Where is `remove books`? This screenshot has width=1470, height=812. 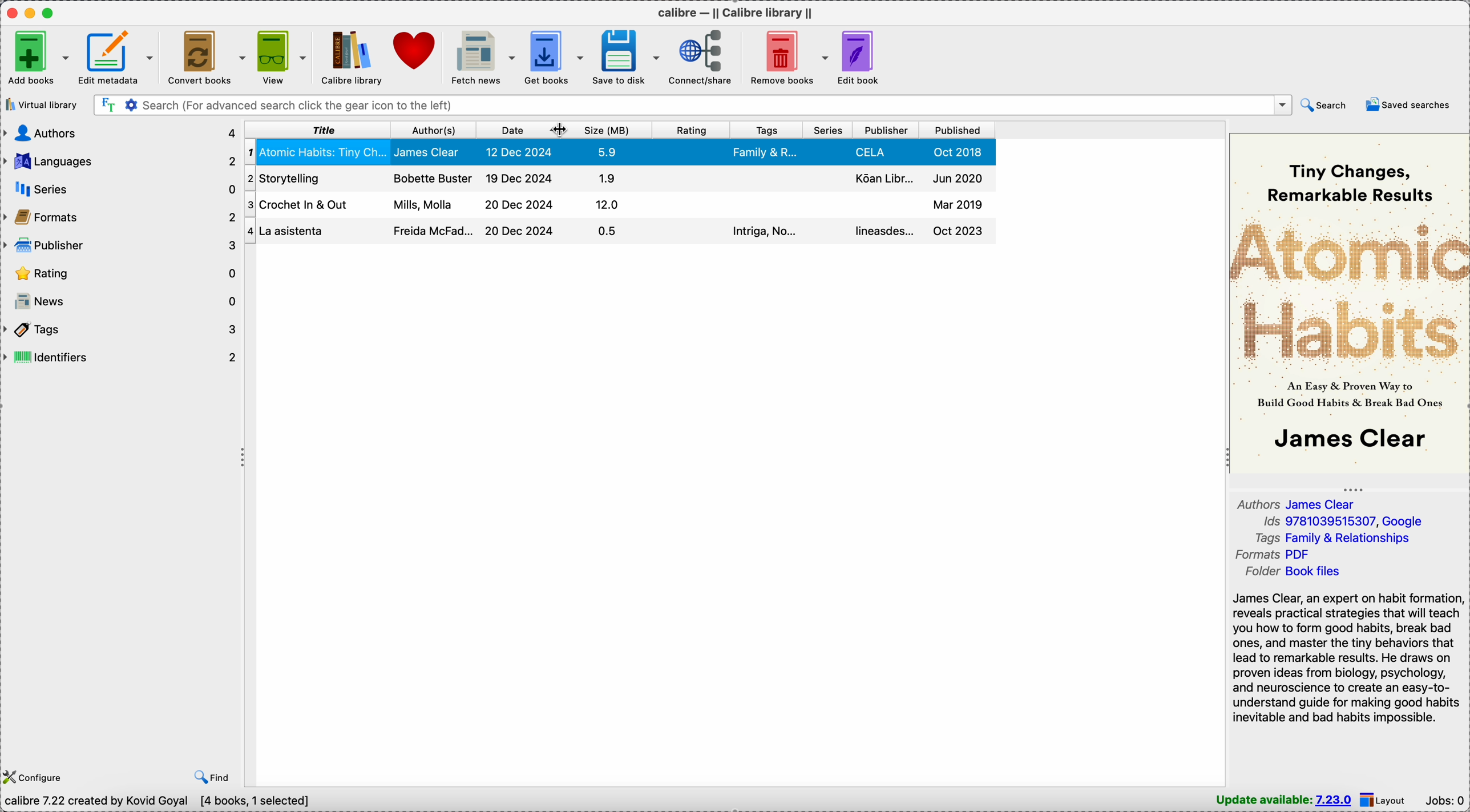 remove books is located at coordinates (787, 56).